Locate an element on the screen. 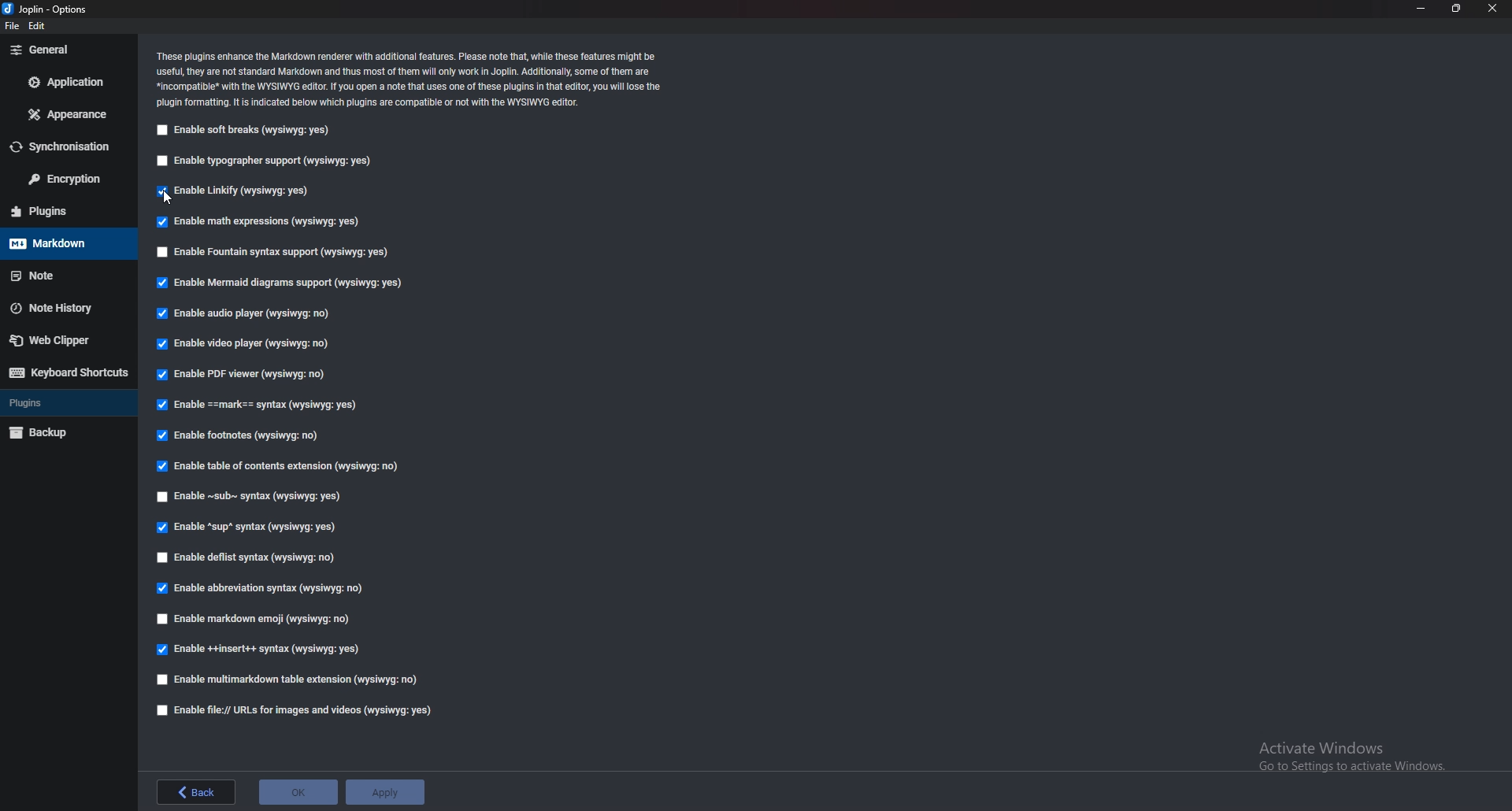  Back up is located at coordinates (67, 432).